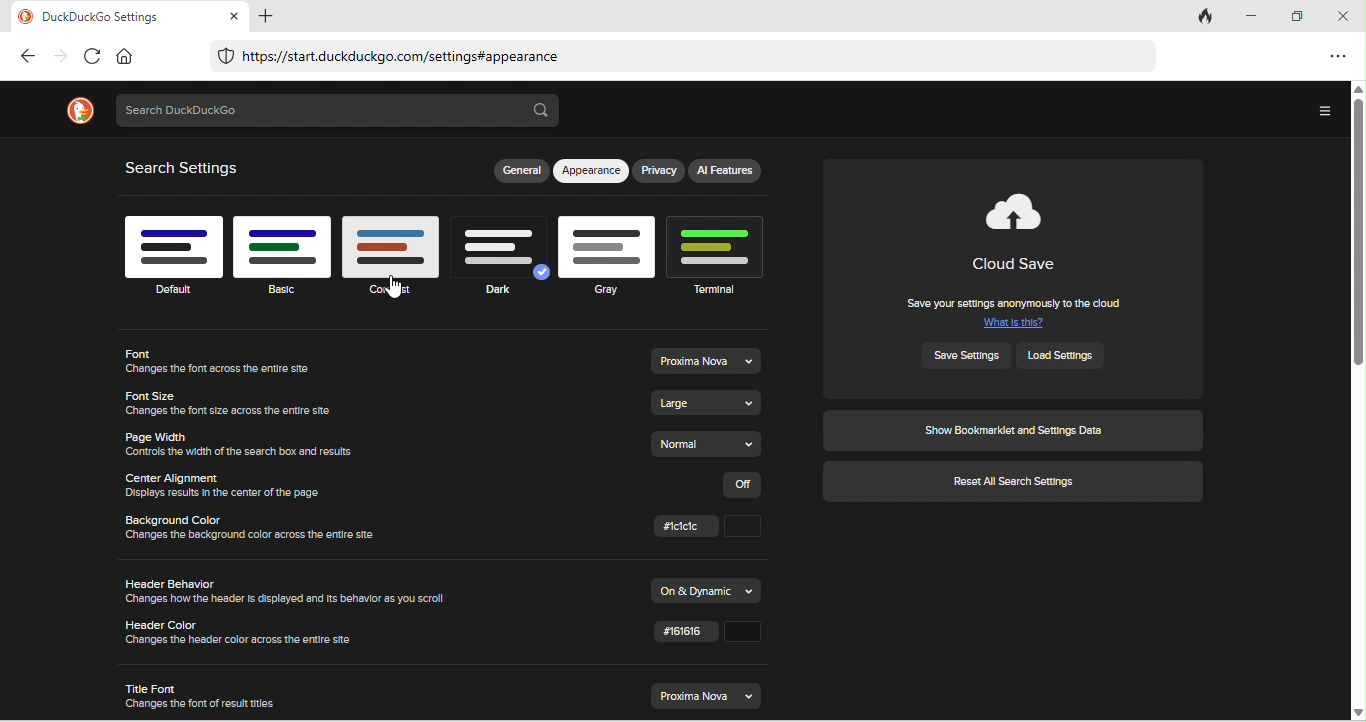 This screenshot has width=1366, height=722. What do you see at coordinates (721, 253) in the screenshot?
I see `terminal` at bounding box center [721, 253].